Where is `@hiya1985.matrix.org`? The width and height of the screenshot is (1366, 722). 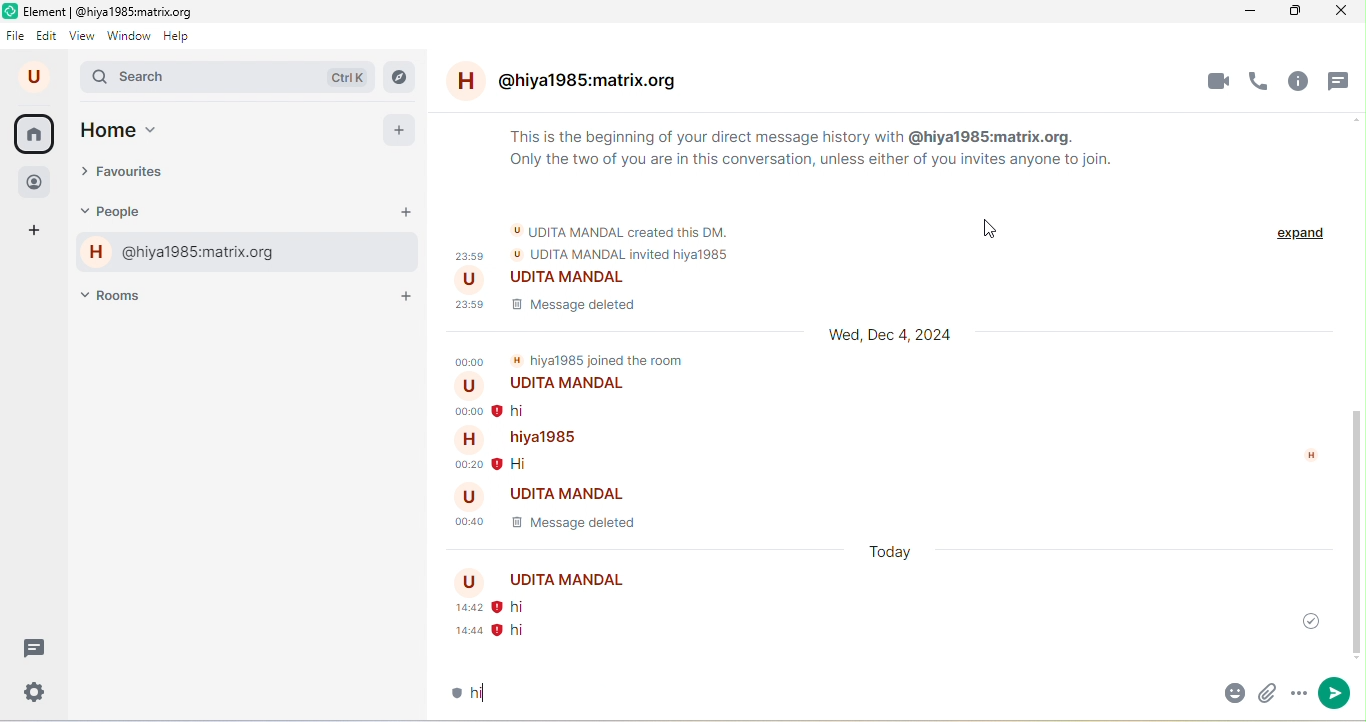
@hiya1985.matrix.org is located at coordinates (575, 84).